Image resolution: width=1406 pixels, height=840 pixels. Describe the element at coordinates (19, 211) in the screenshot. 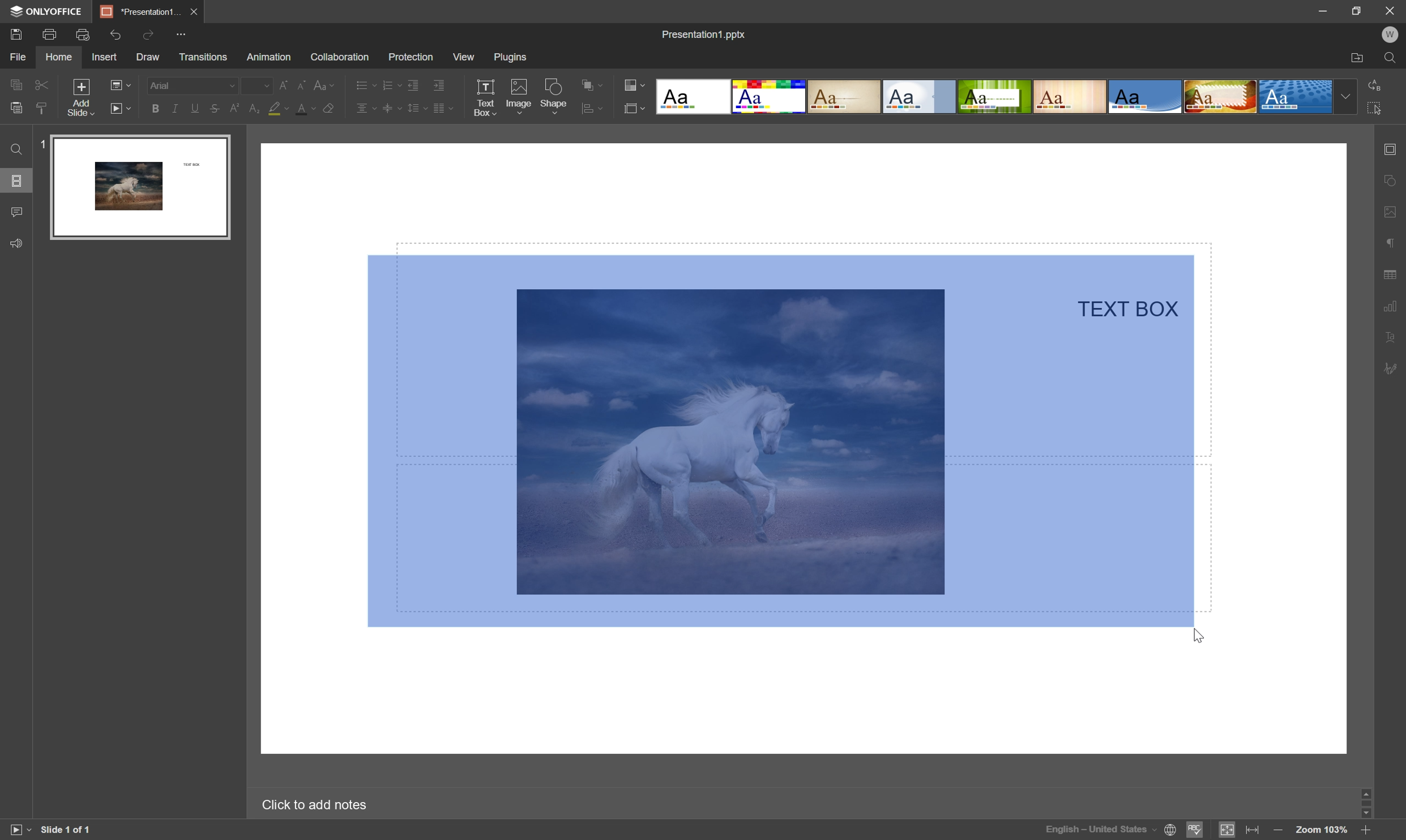

I see `comments` at that location.